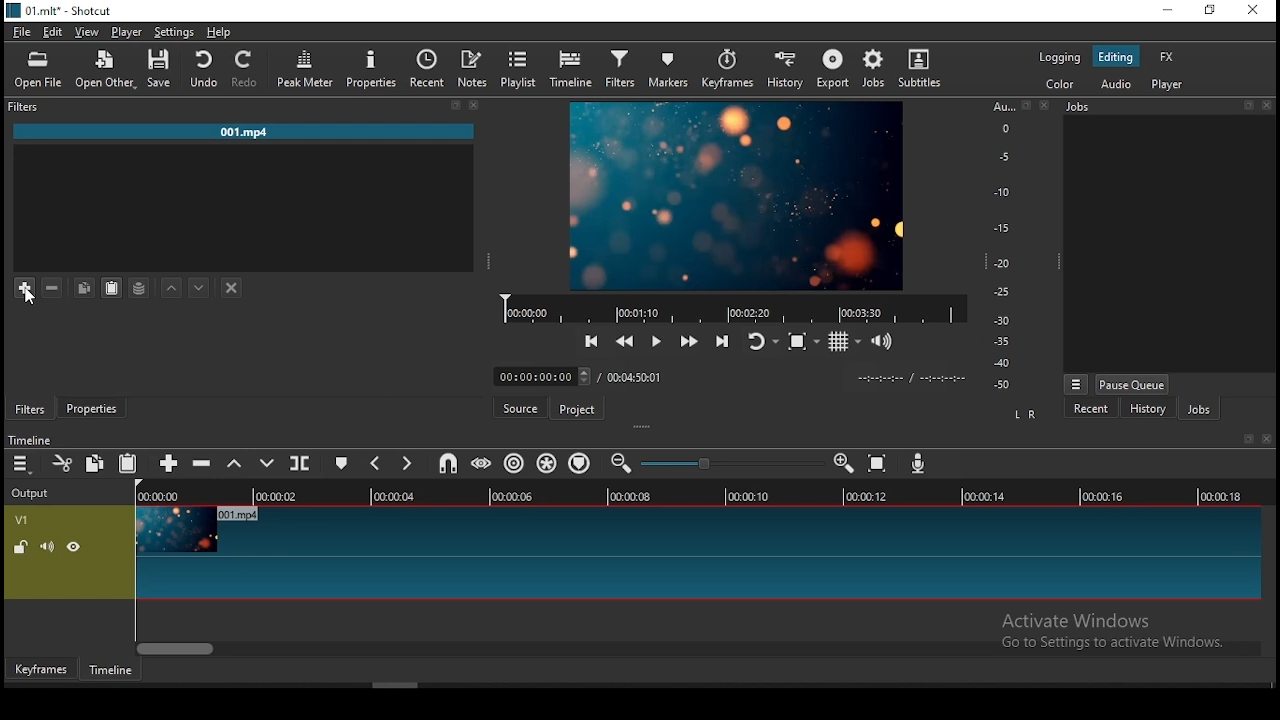  Describe the element at coordinates (579, 407) in the screenshot. I see `project` at that location.